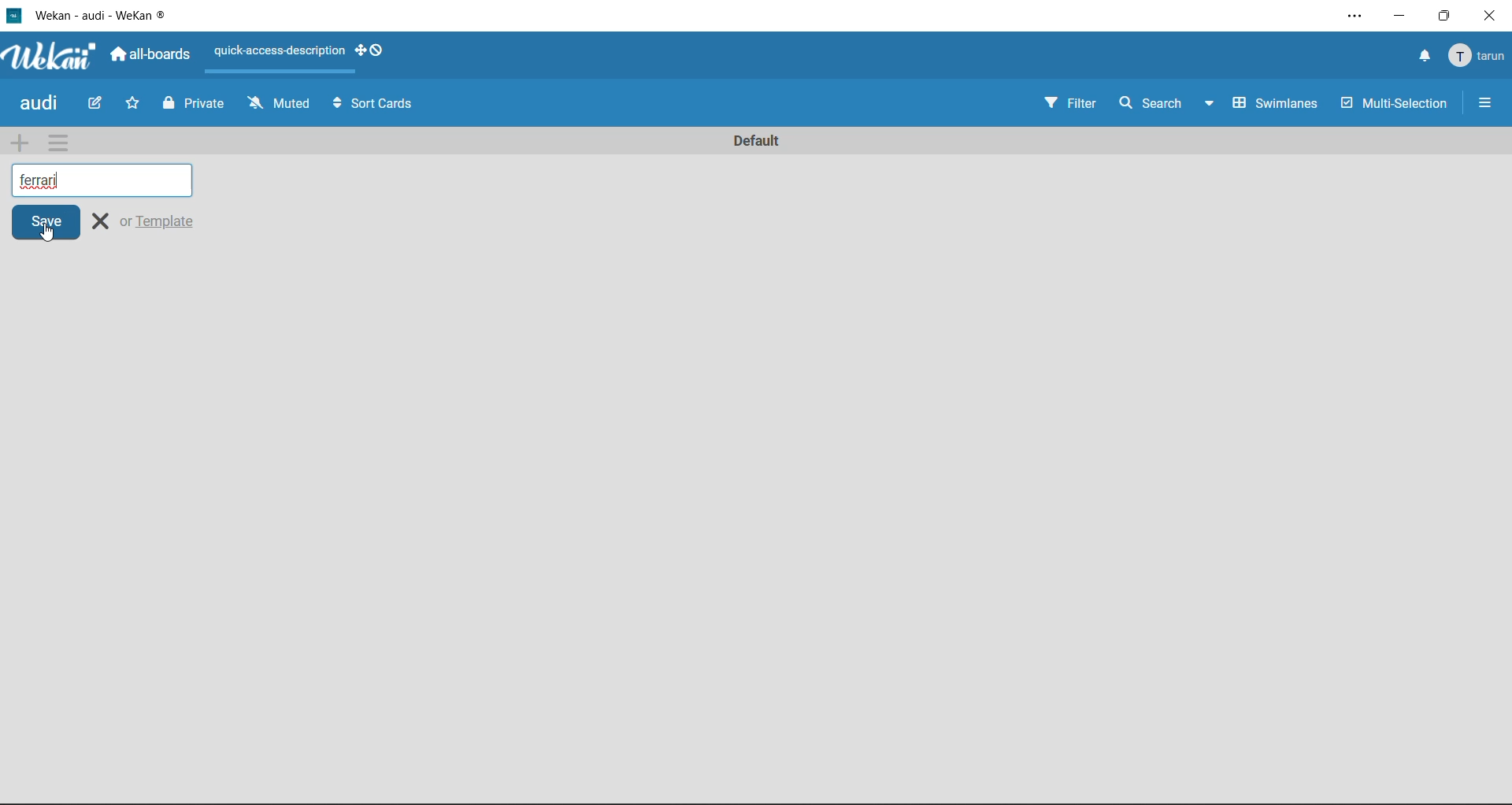 The width and height of the screenshot is (1512, 805). I want to click on sort cards, so click(384, 106).